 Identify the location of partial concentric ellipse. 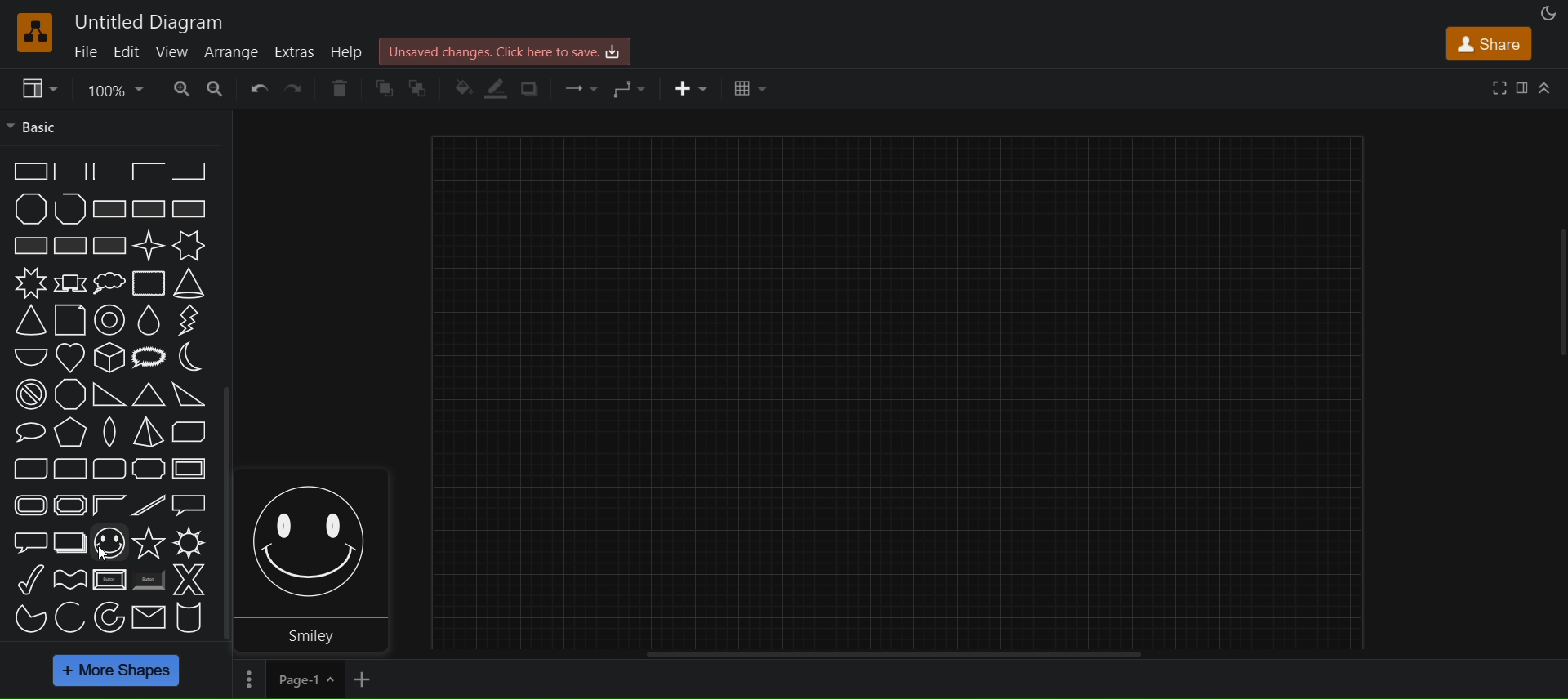
(109, 617).